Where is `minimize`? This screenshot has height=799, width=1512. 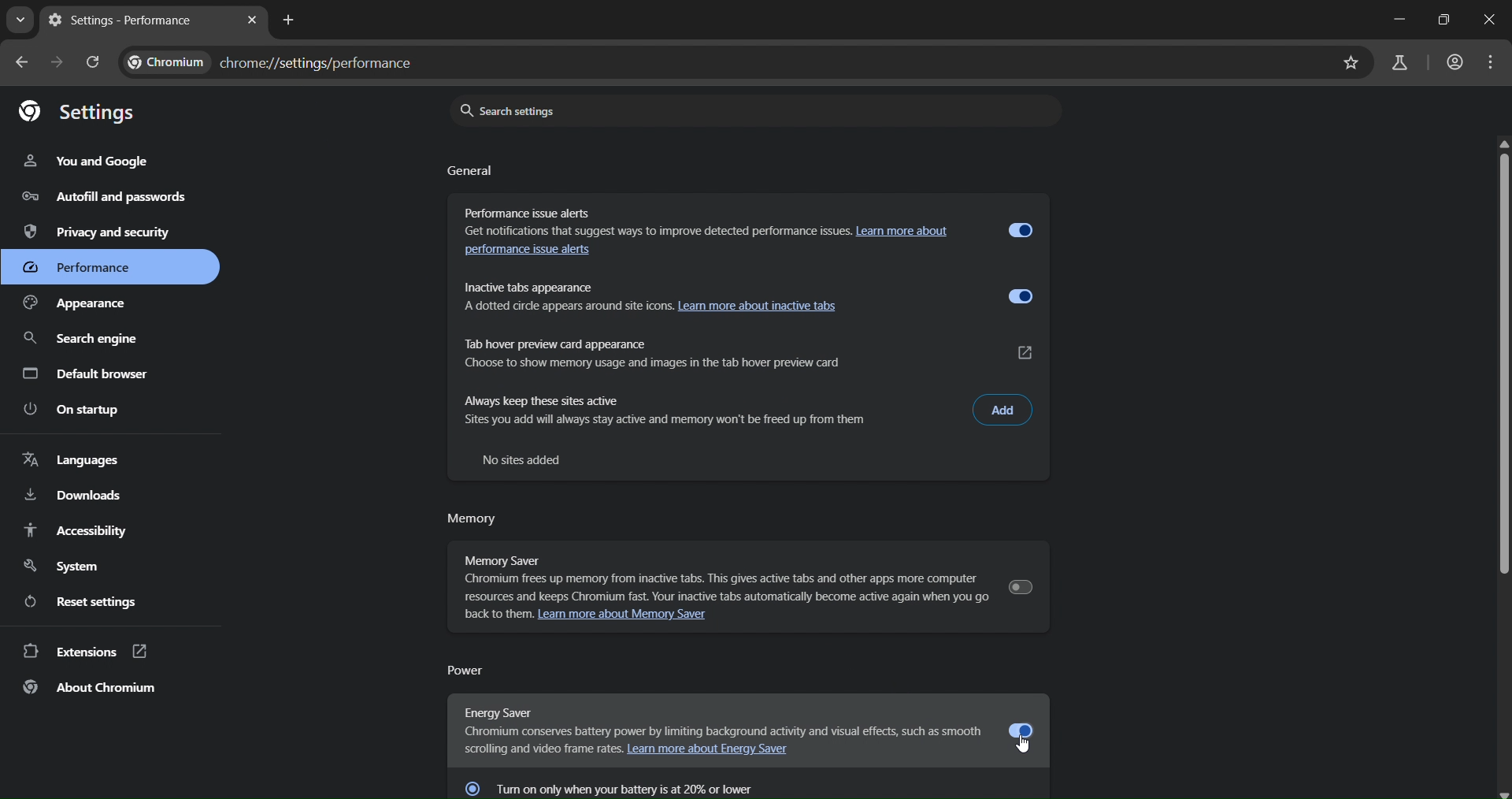
minimize is located at coordinates (1395, 20).